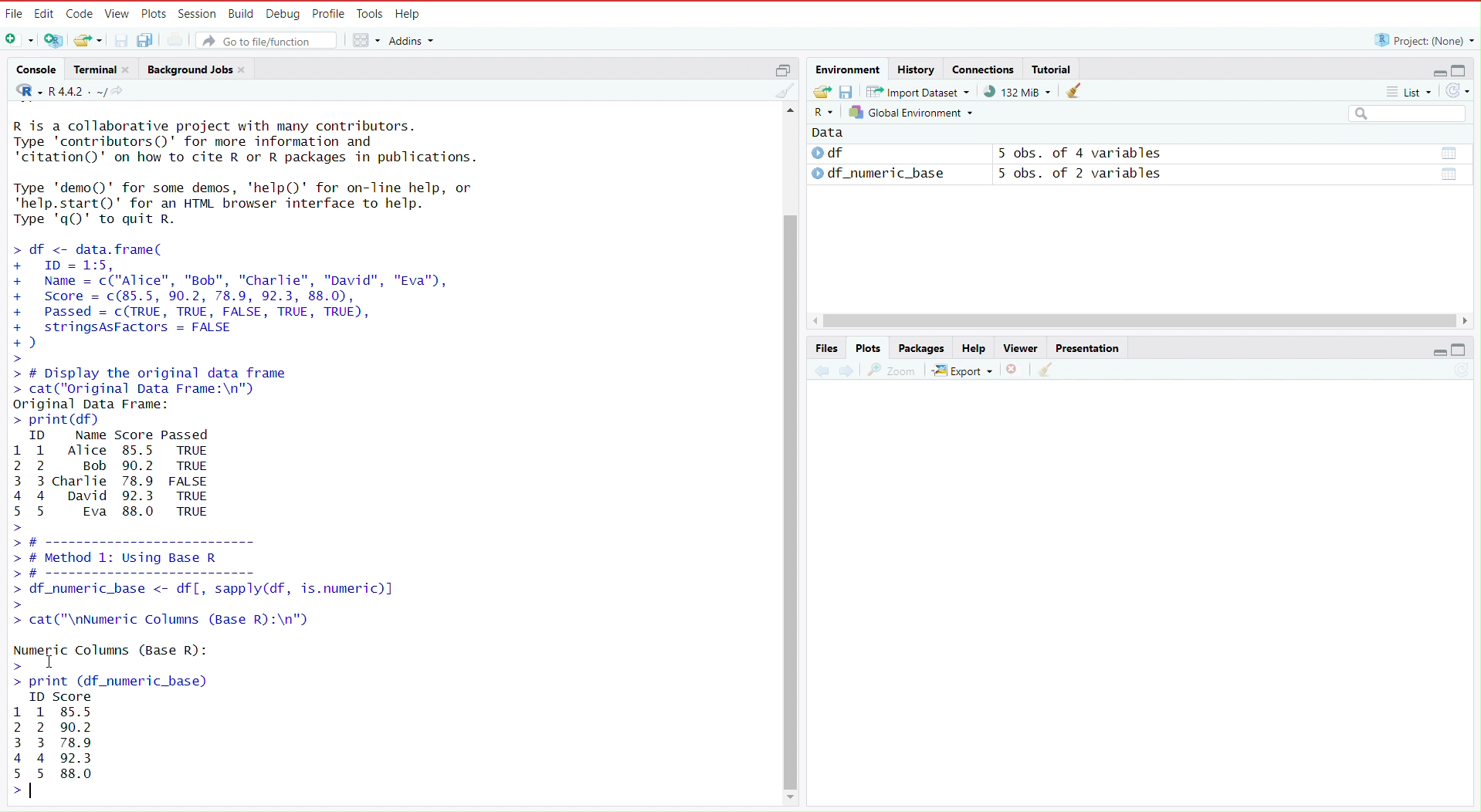 The image size is (1481, 812). I want to click on Viewer, so click(1018, 347).